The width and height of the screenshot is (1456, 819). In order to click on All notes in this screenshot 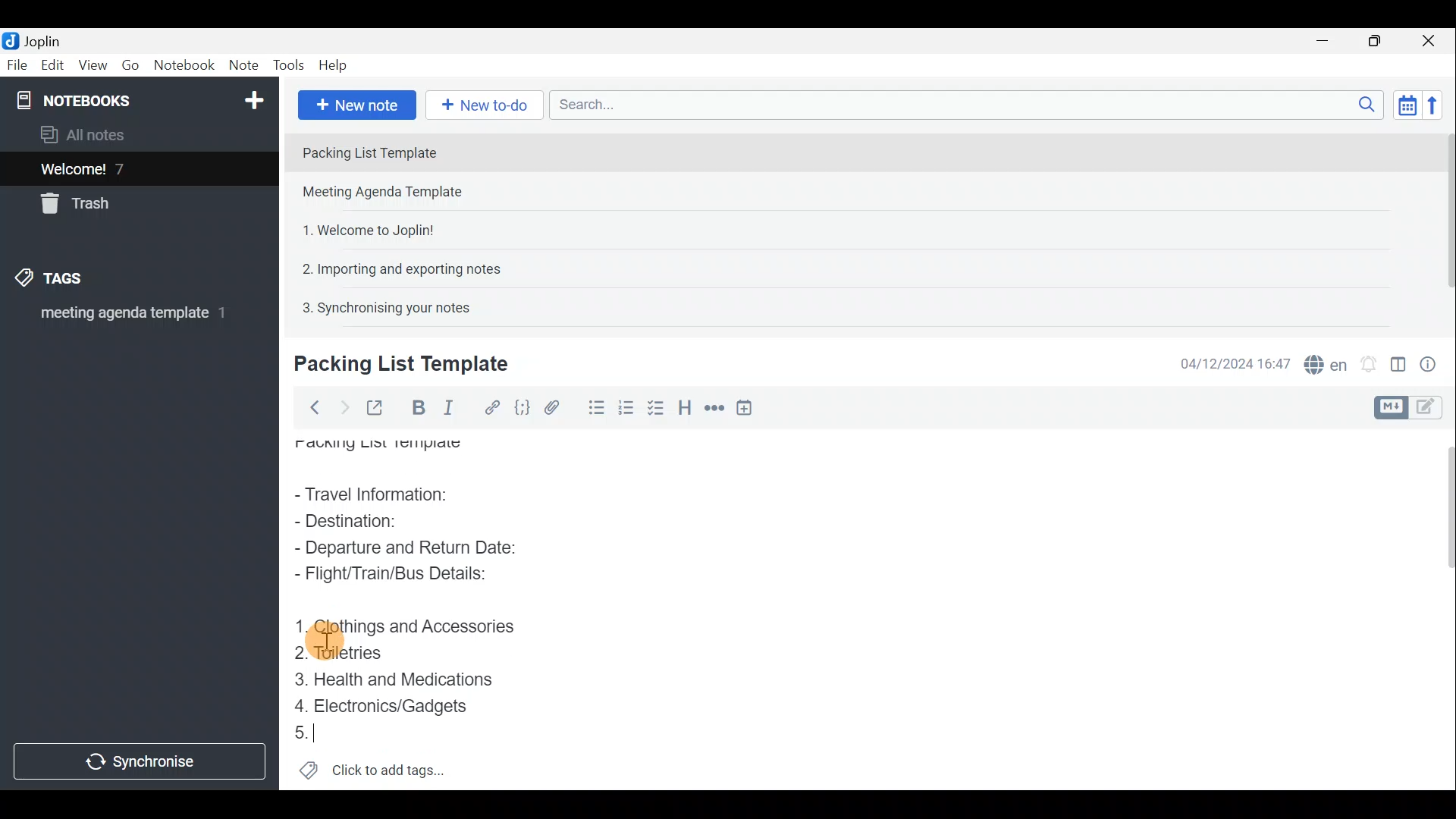, I will do `click(88, 134)`.